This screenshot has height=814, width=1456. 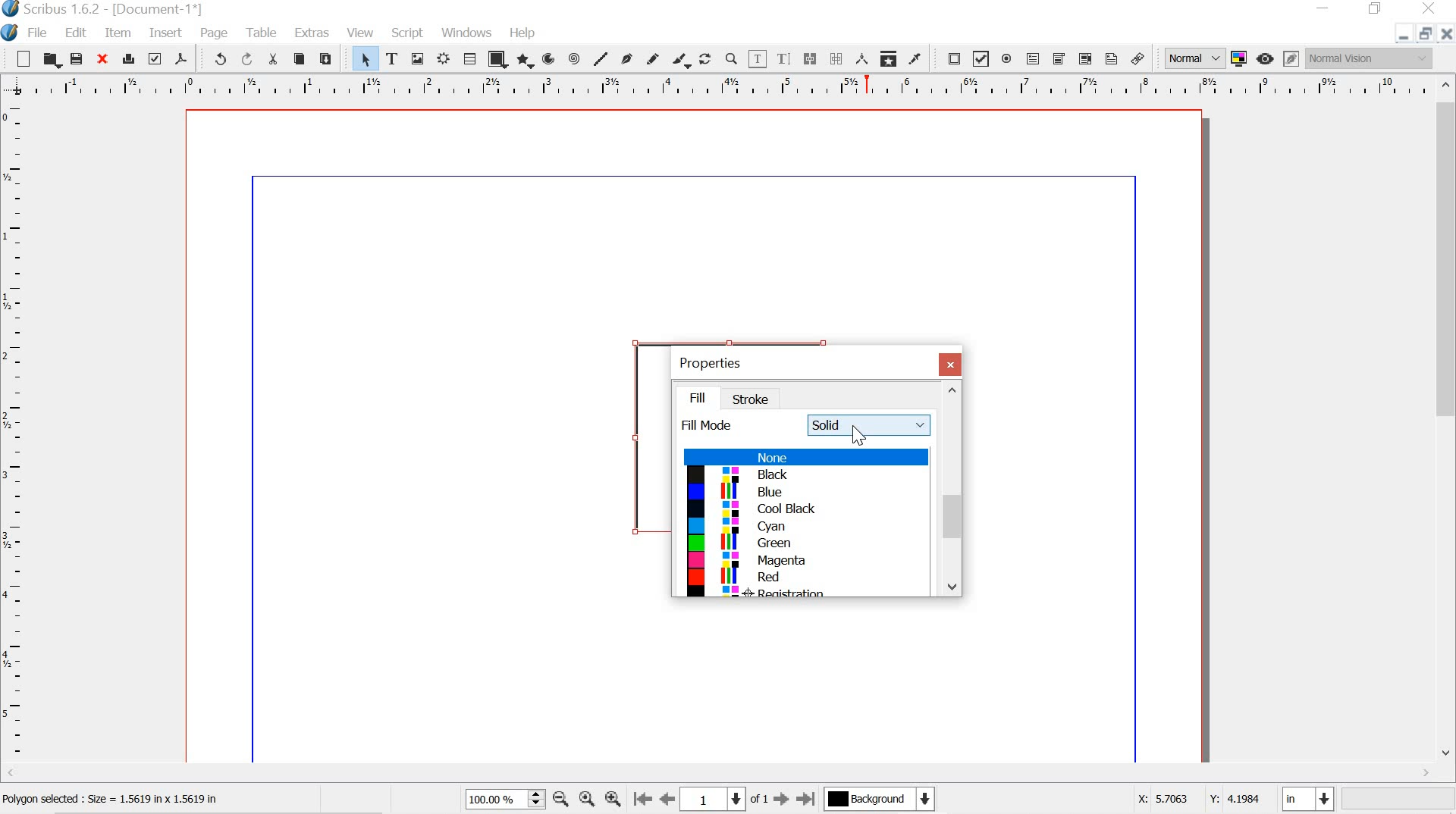 I want to click on eye dropper, so click(x=919, y=58).